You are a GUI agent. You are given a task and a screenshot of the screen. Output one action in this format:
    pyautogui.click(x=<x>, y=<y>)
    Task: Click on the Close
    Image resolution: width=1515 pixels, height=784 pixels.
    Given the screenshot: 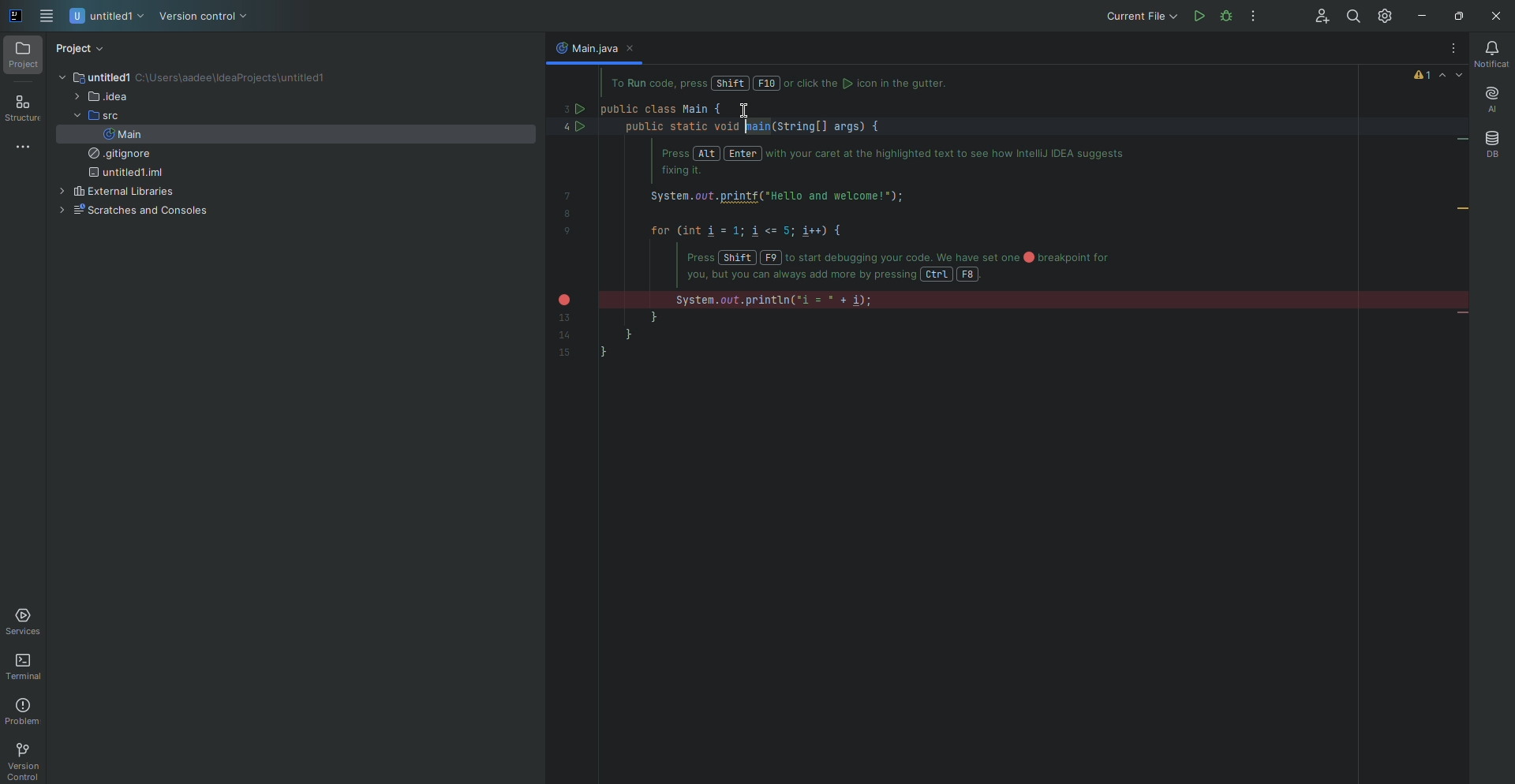 What is the action you would take?
    pyautogui.click(x=1493, y=17)
    